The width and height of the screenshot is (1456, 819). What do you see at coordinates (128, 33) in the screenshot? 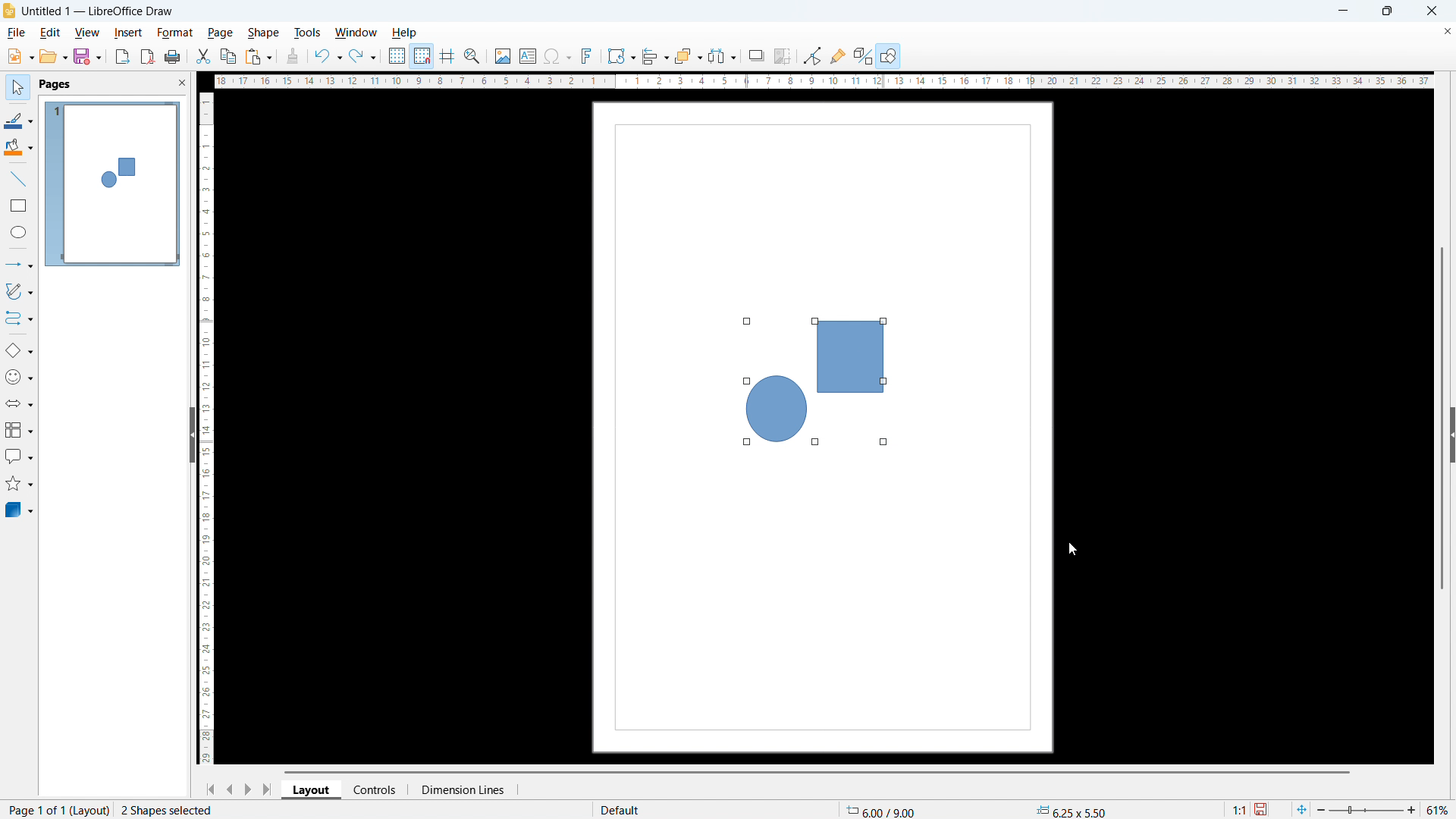
I see `insert` at bounding box center [128, 33].